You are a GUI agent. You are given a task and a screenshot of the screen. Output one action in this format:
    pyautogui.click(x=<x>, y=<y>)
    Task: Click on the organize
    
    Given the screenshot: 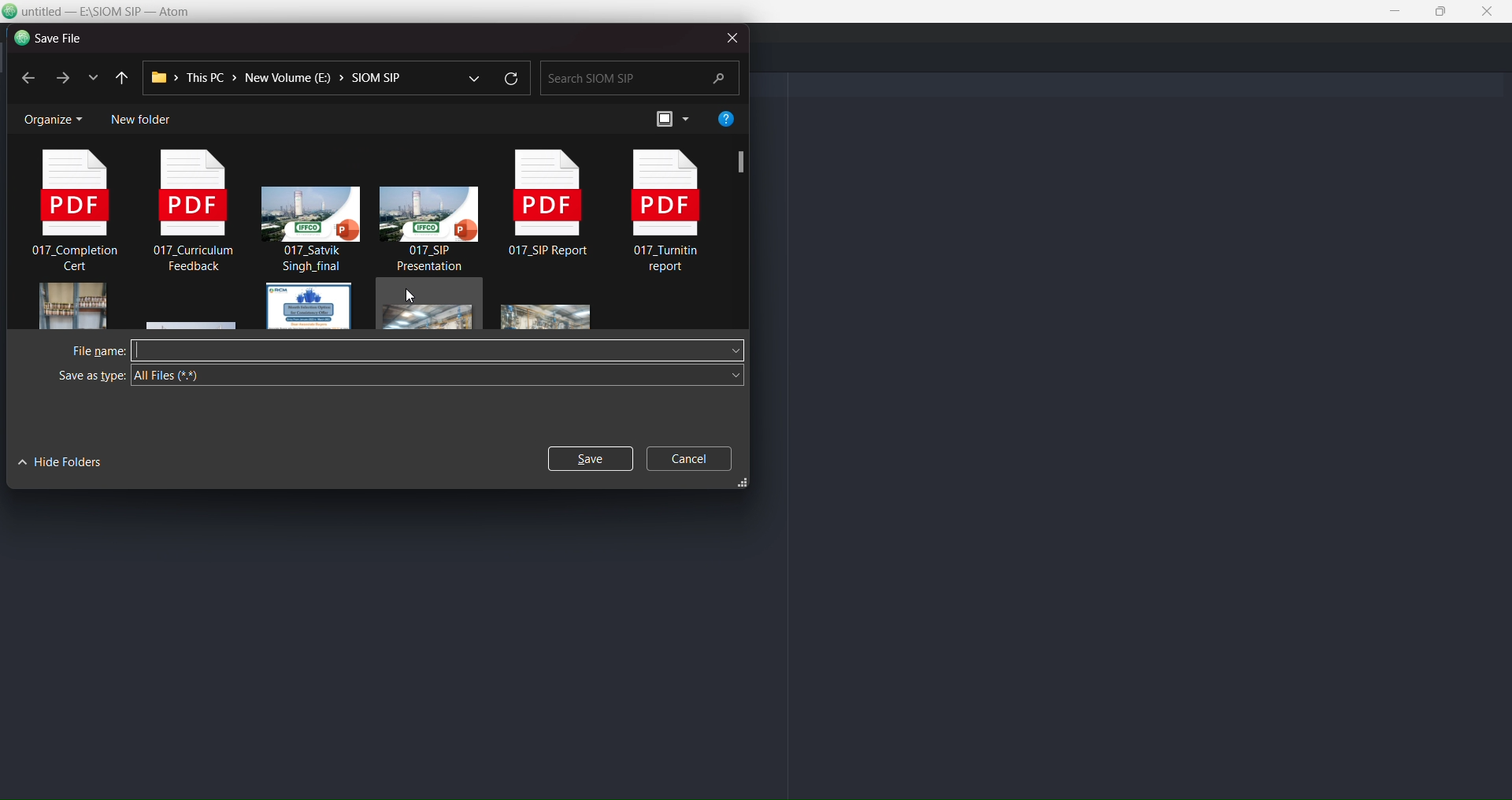 What is the action you would take?
    pyautogui.click(x=54, y=120)
    